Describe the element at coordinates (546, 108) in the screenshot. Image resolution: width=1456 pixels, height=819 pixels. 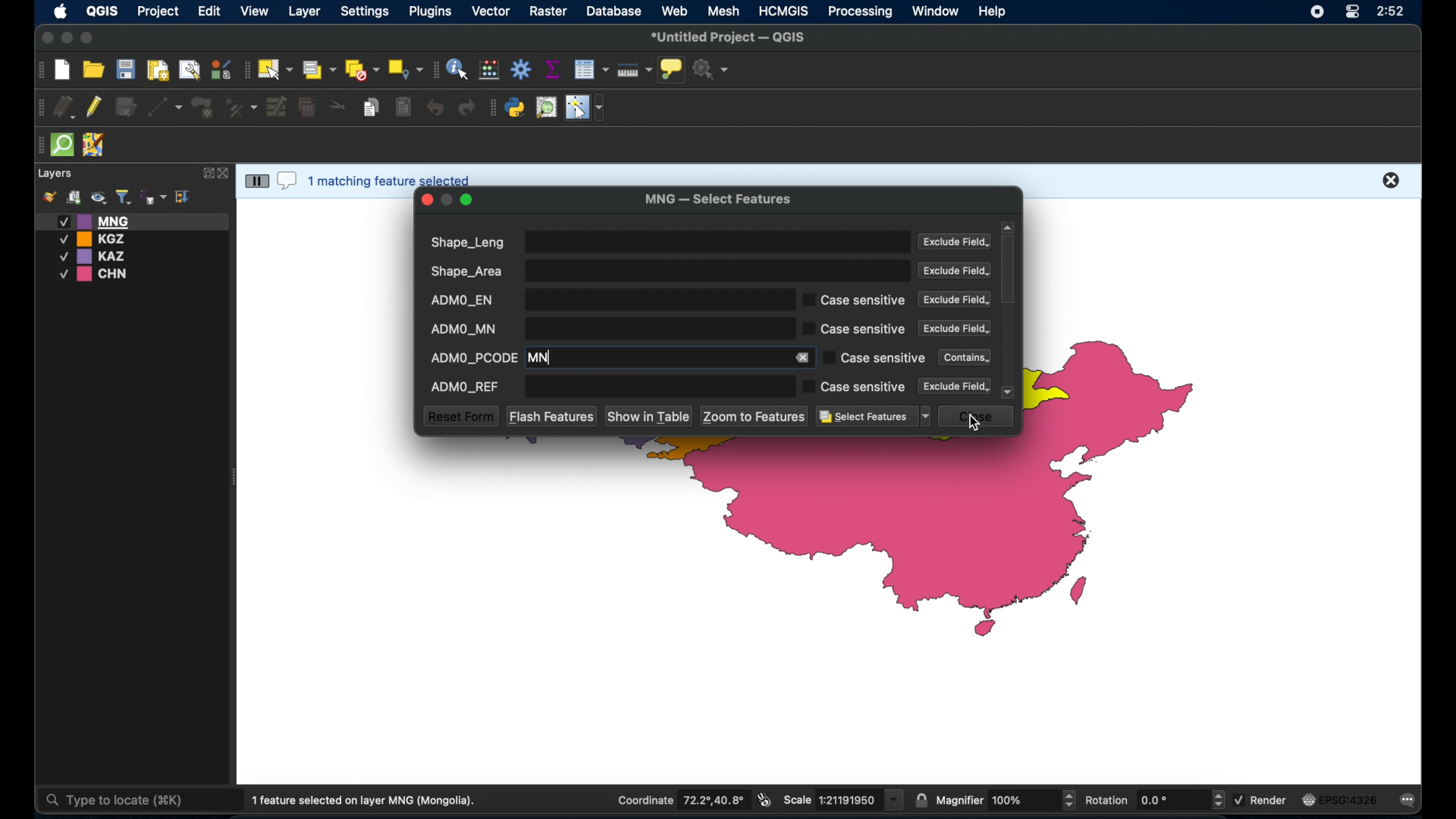
I see `osm place search` at that location.